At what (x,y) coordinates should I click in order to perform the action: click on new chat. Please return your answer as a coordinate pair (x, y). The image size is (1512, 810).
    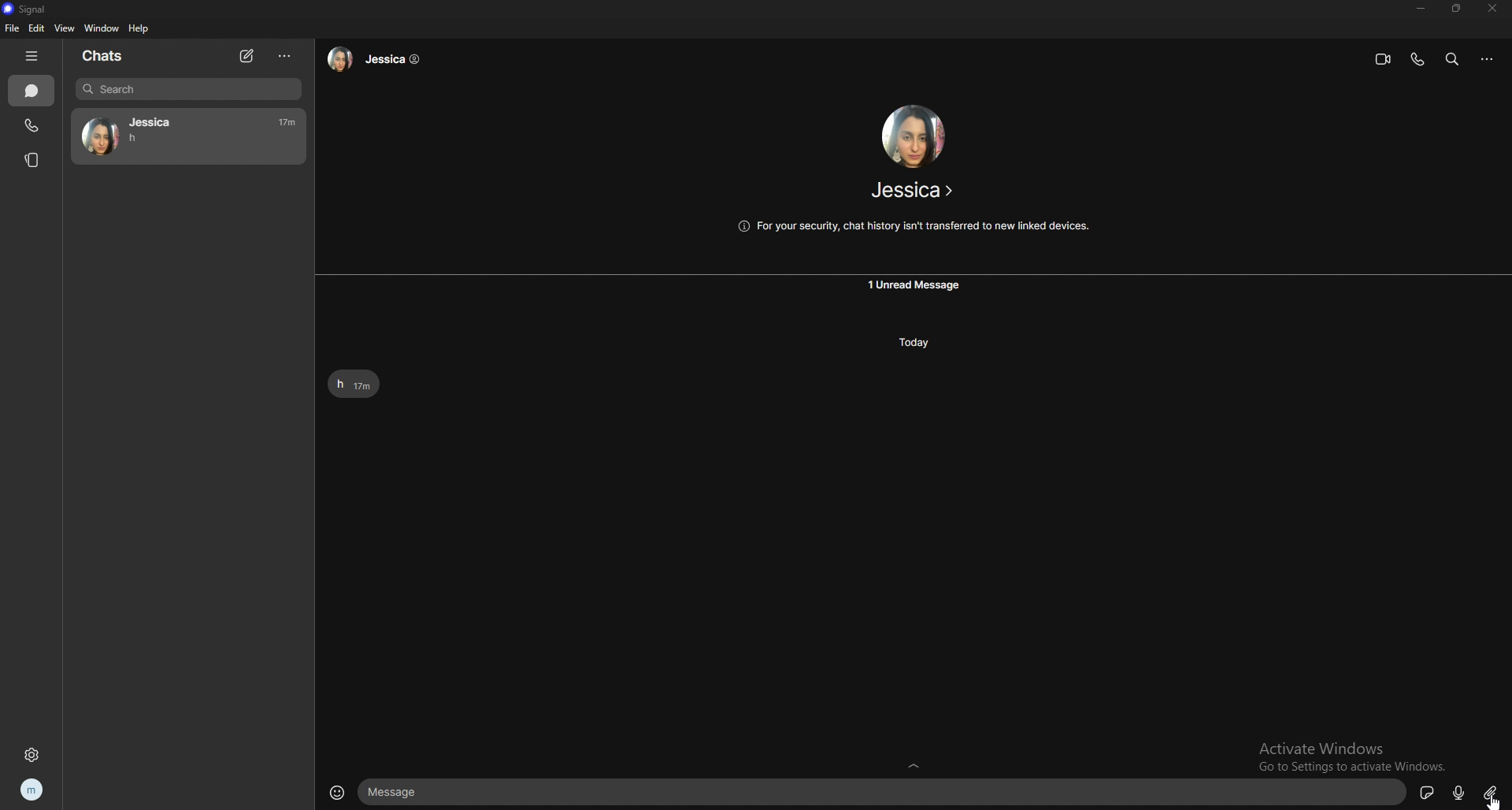
    Looking at the image, I should click on (248, 57).